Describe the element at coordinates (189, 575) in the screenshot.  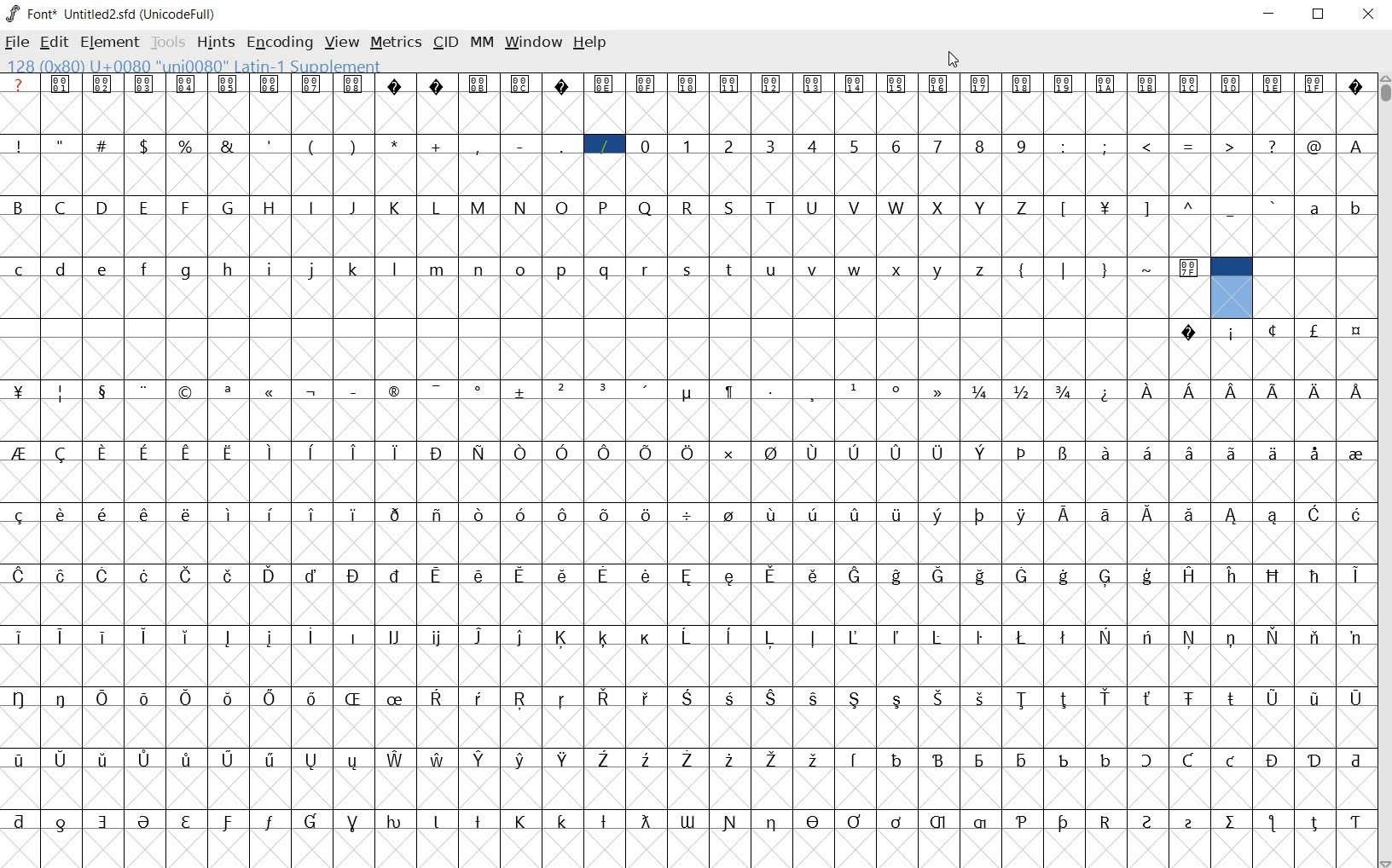
I see `Symbol` at that location.